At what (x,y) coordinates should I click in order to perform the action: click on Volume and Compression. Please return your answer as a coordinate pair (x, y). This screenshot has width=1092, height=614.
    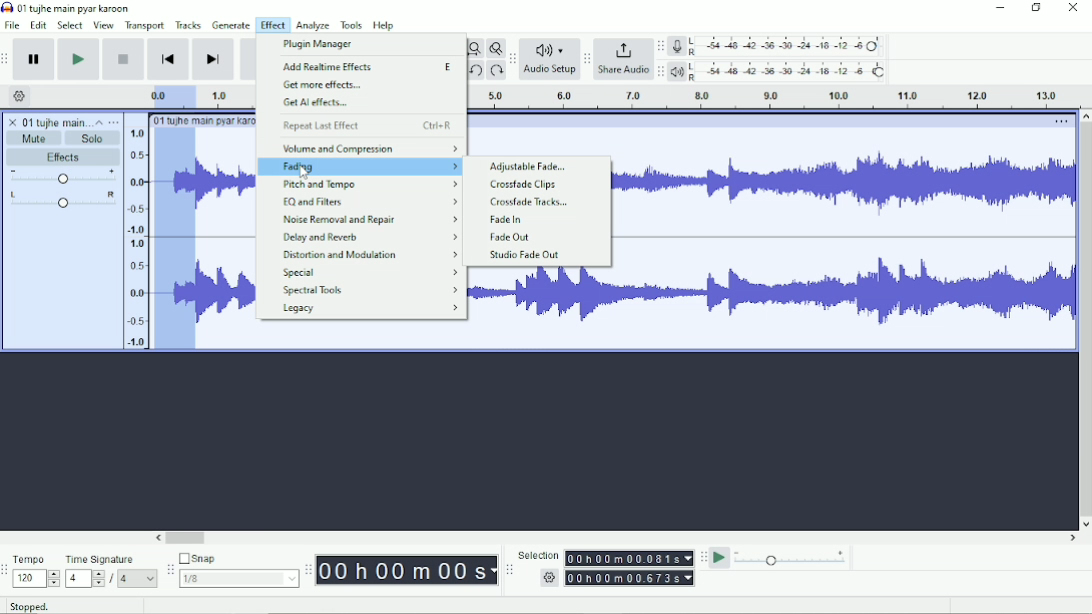
    Looking at the image, I should click on (369, 148).